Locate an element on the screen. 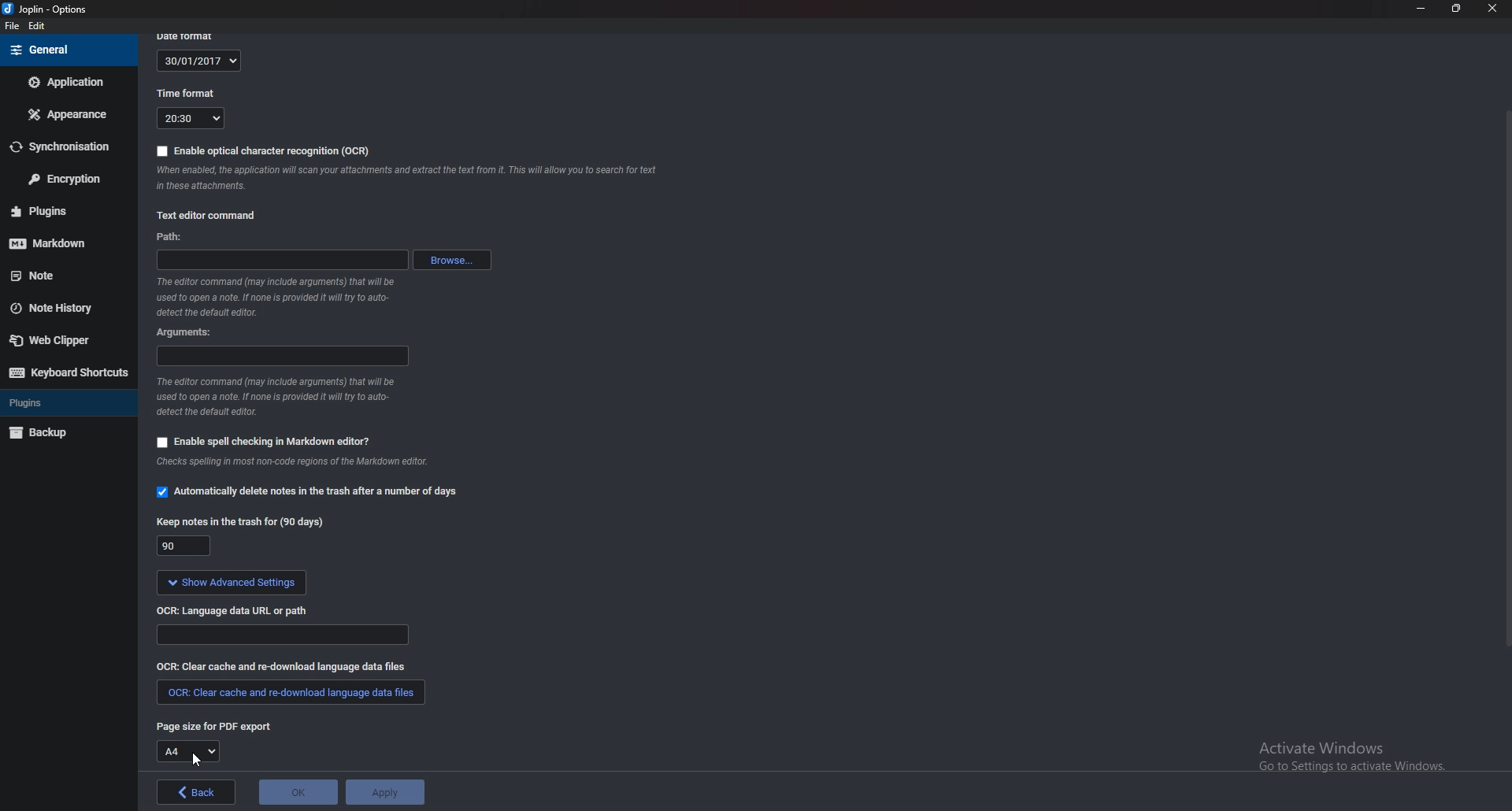 This screenshot has width=1512, height=811. Plugins is located at coordinates (57, 402).